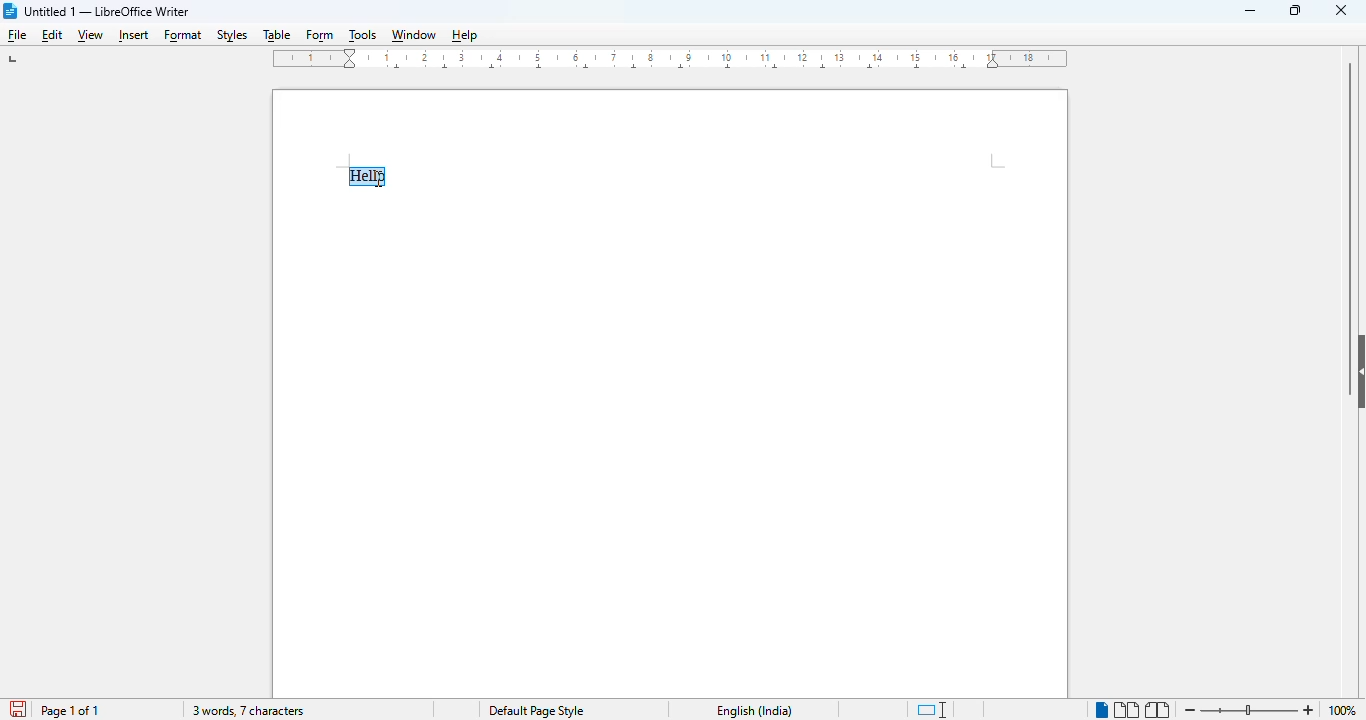  Describe the element at coordinates (1158, 710) in the screenshot. I see `book view` at that location.